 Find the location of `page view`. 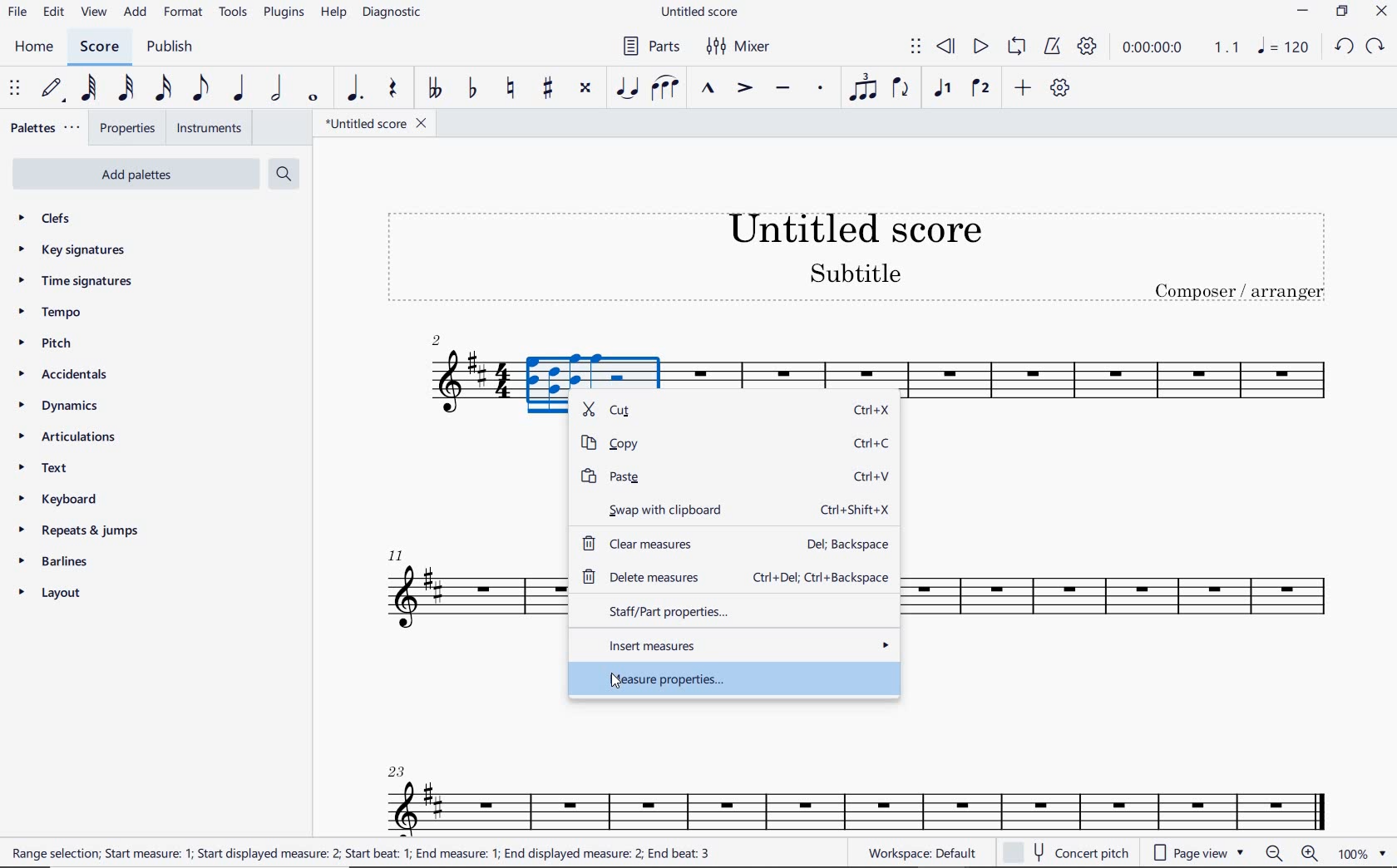

page view is located at coordinates (1197, 853).